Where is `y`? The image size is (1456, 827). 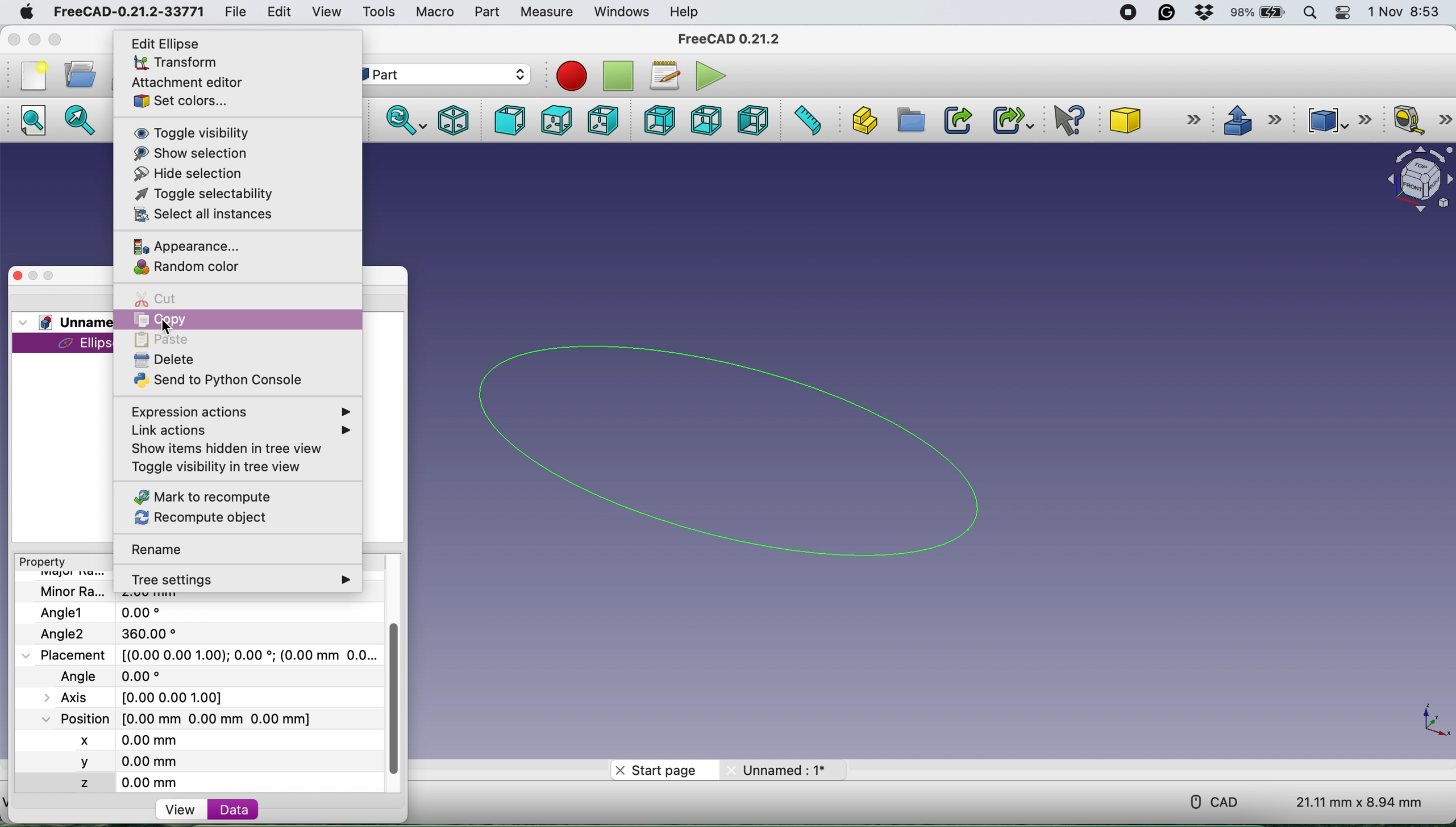 y is located at coordinates (110, 762).